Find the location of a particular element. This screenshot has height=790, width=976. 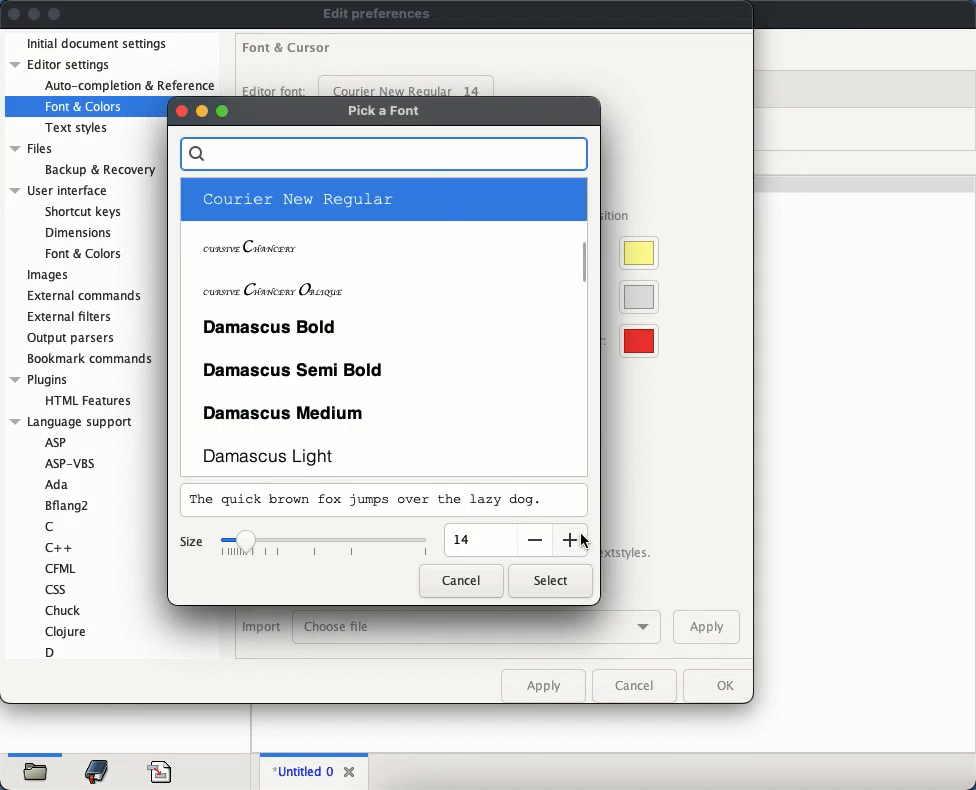

text styles is located at coordinates (78, 128).